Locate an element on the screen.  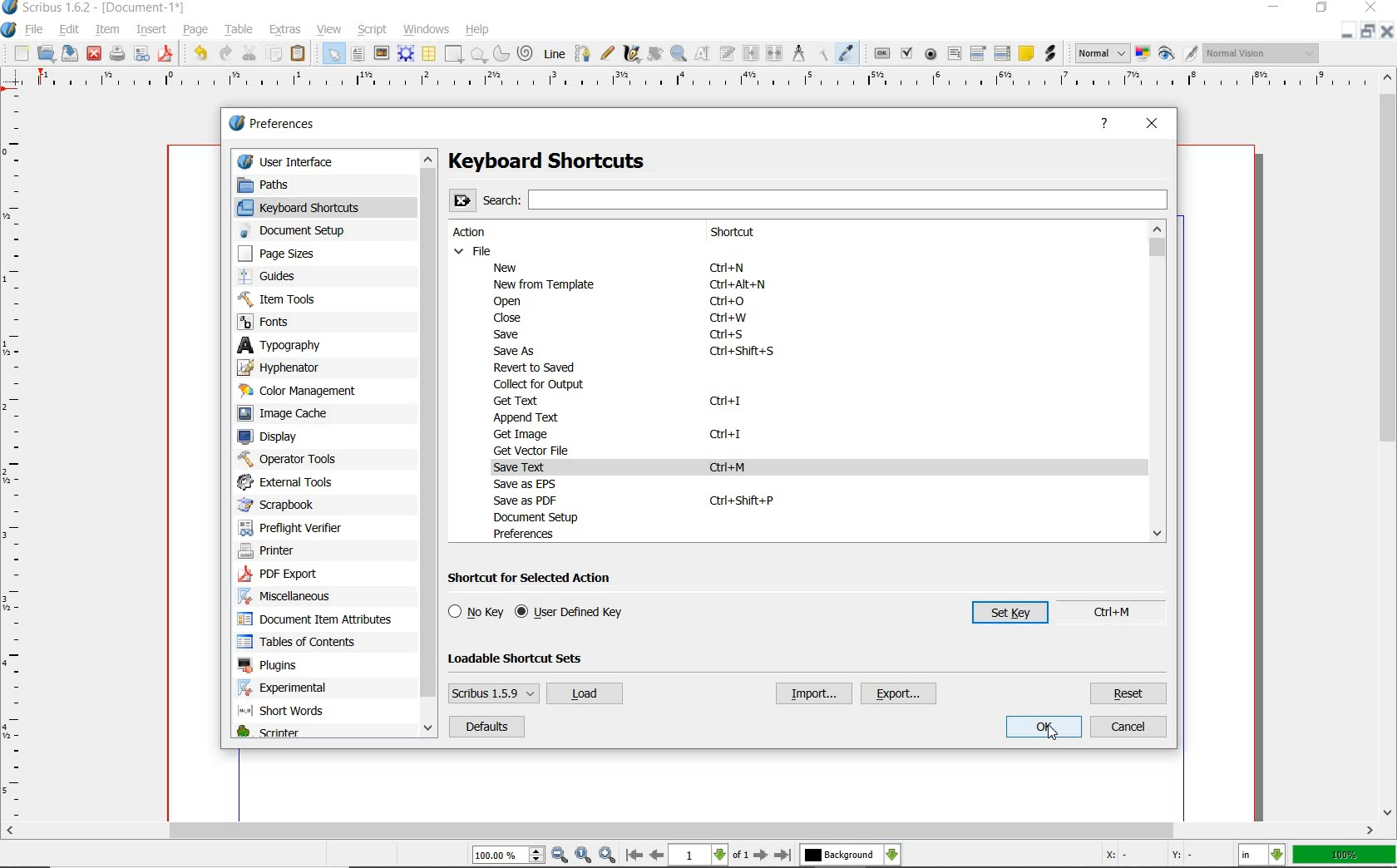
document setup is located at coordinates (550, 517).